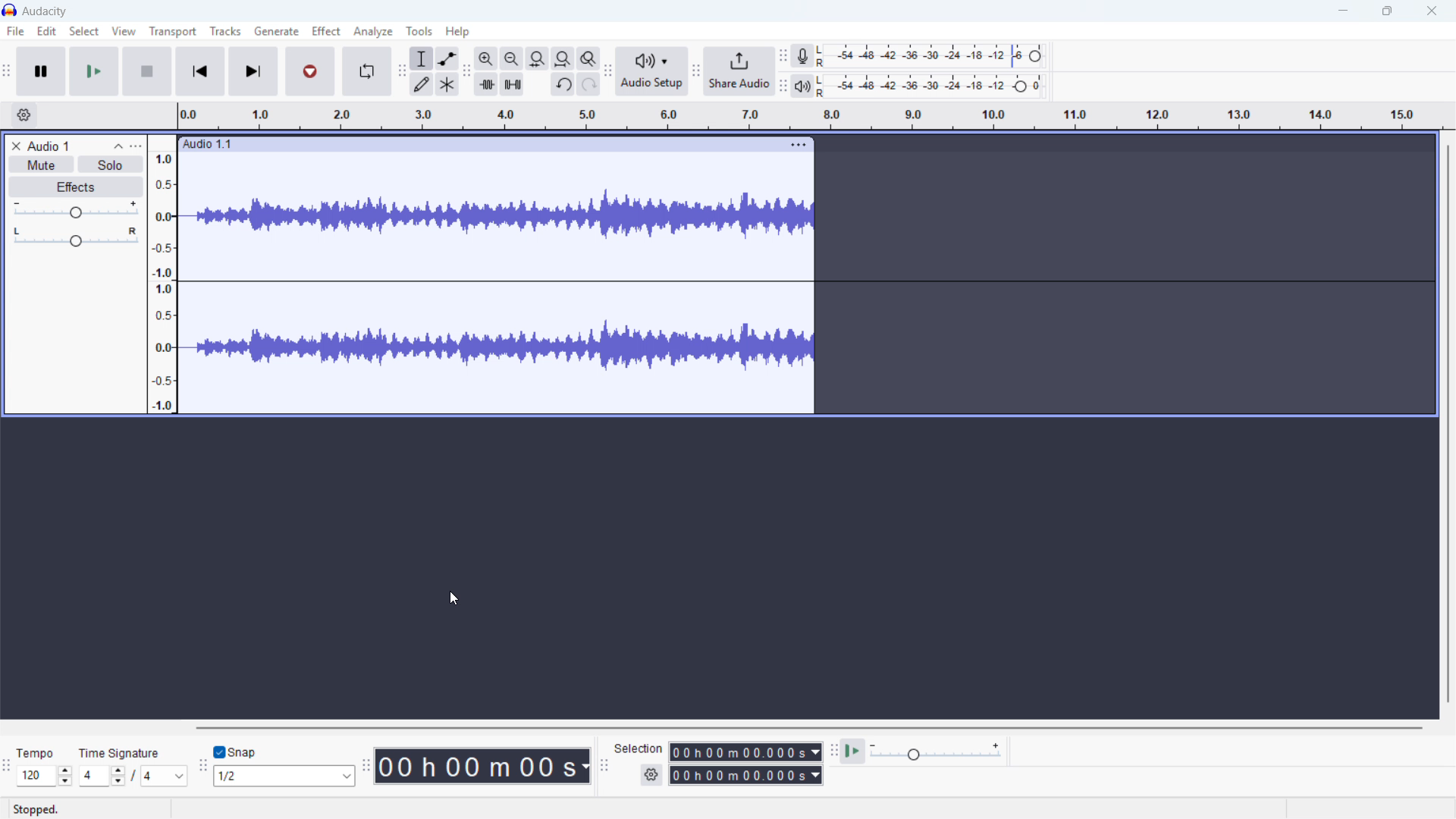 The height and width of the screenshot is (819, 1456). Describe the element at coordinates (653, 71) in the screenshot. I see `Audio setup ` at that location.